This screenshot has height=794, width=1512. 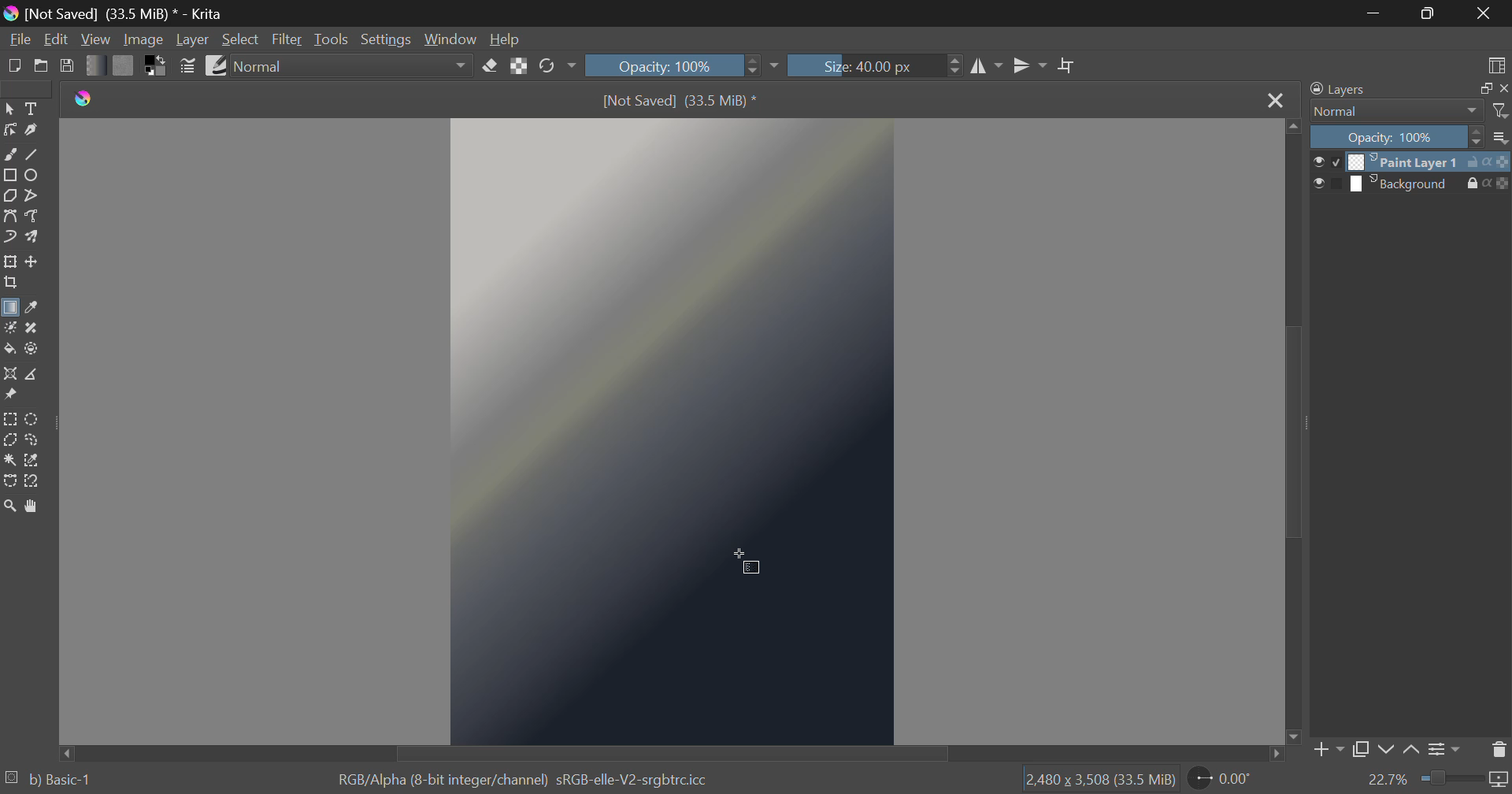 I want to click on Brush Presets, so click(x=214, y=64).